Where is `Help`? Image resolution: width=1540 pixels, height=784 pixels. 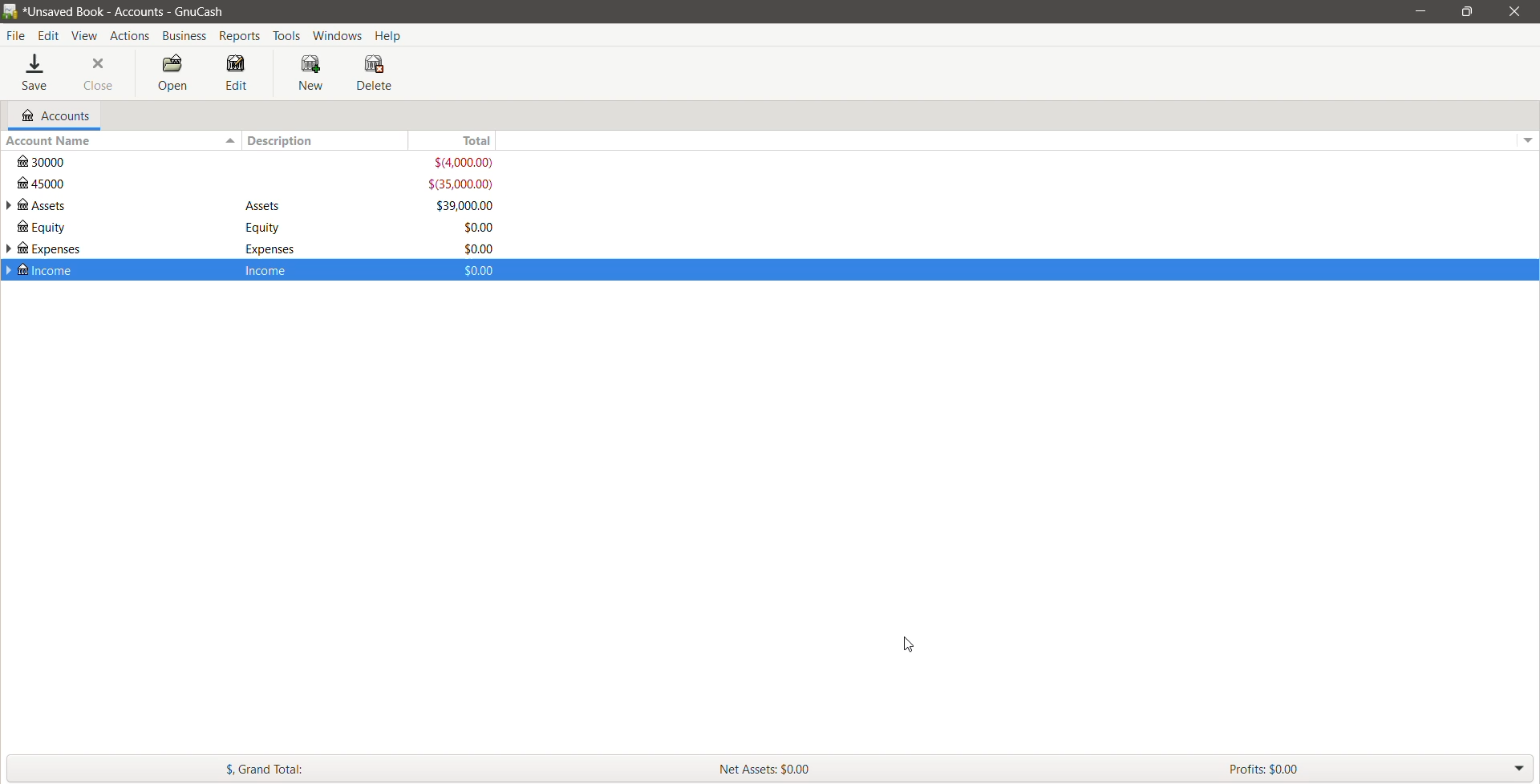 Help is located at coordinates (391, 34).